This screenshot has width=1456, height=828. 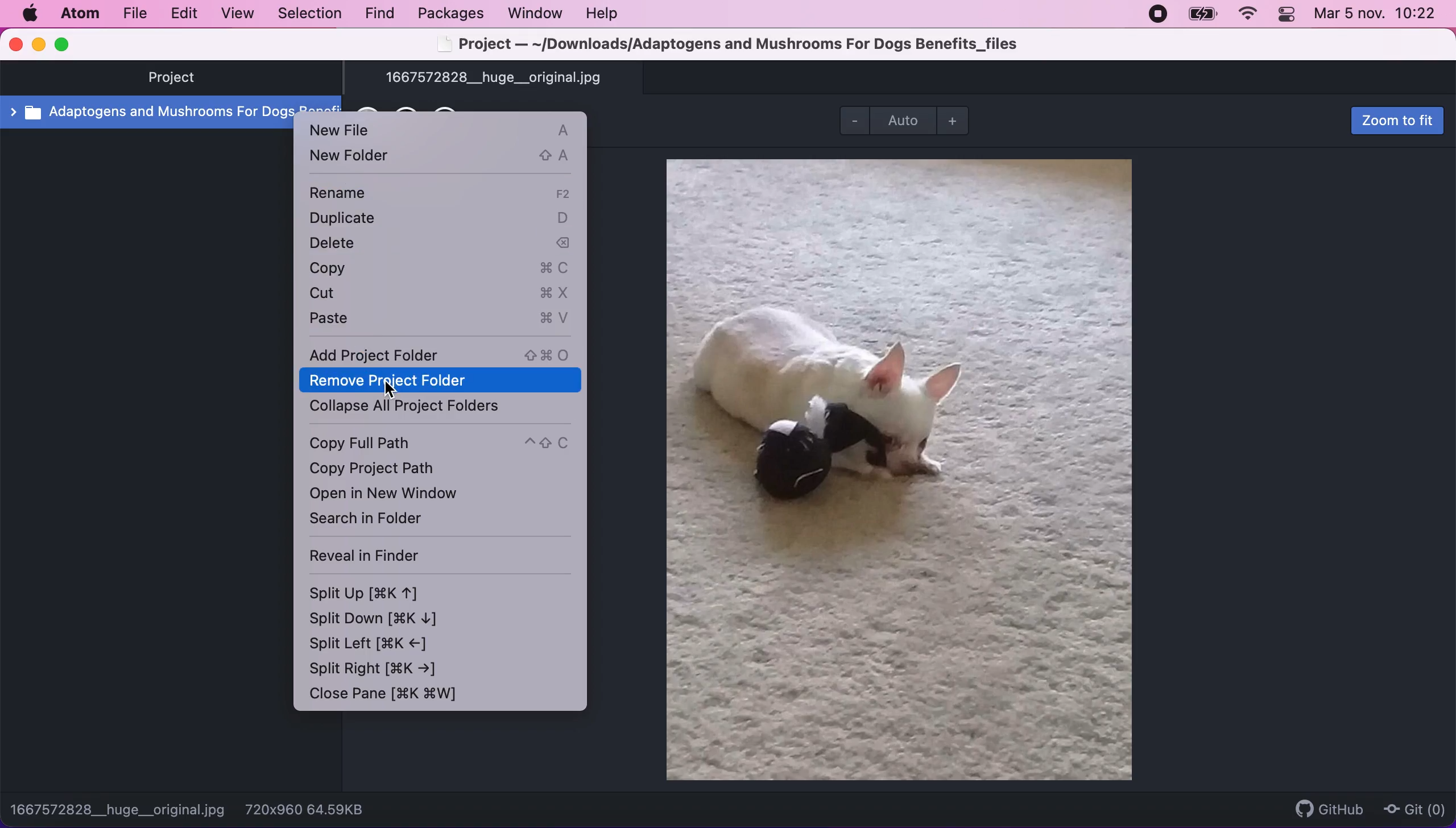 I want to click on split up, so click(x=379, y=593).